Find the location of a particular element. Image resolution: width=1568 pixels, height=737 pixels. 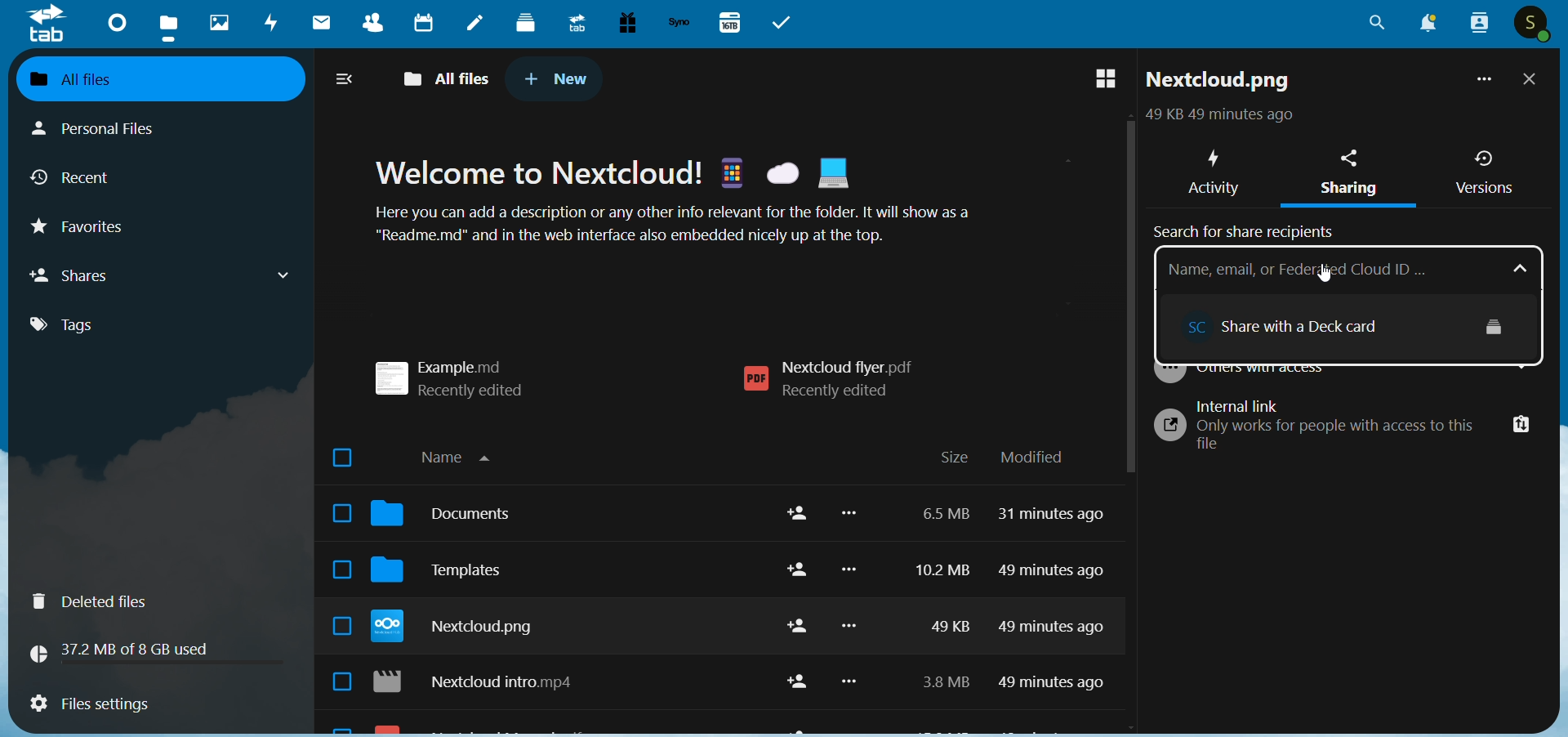

share is located at coordinates (792, 601).